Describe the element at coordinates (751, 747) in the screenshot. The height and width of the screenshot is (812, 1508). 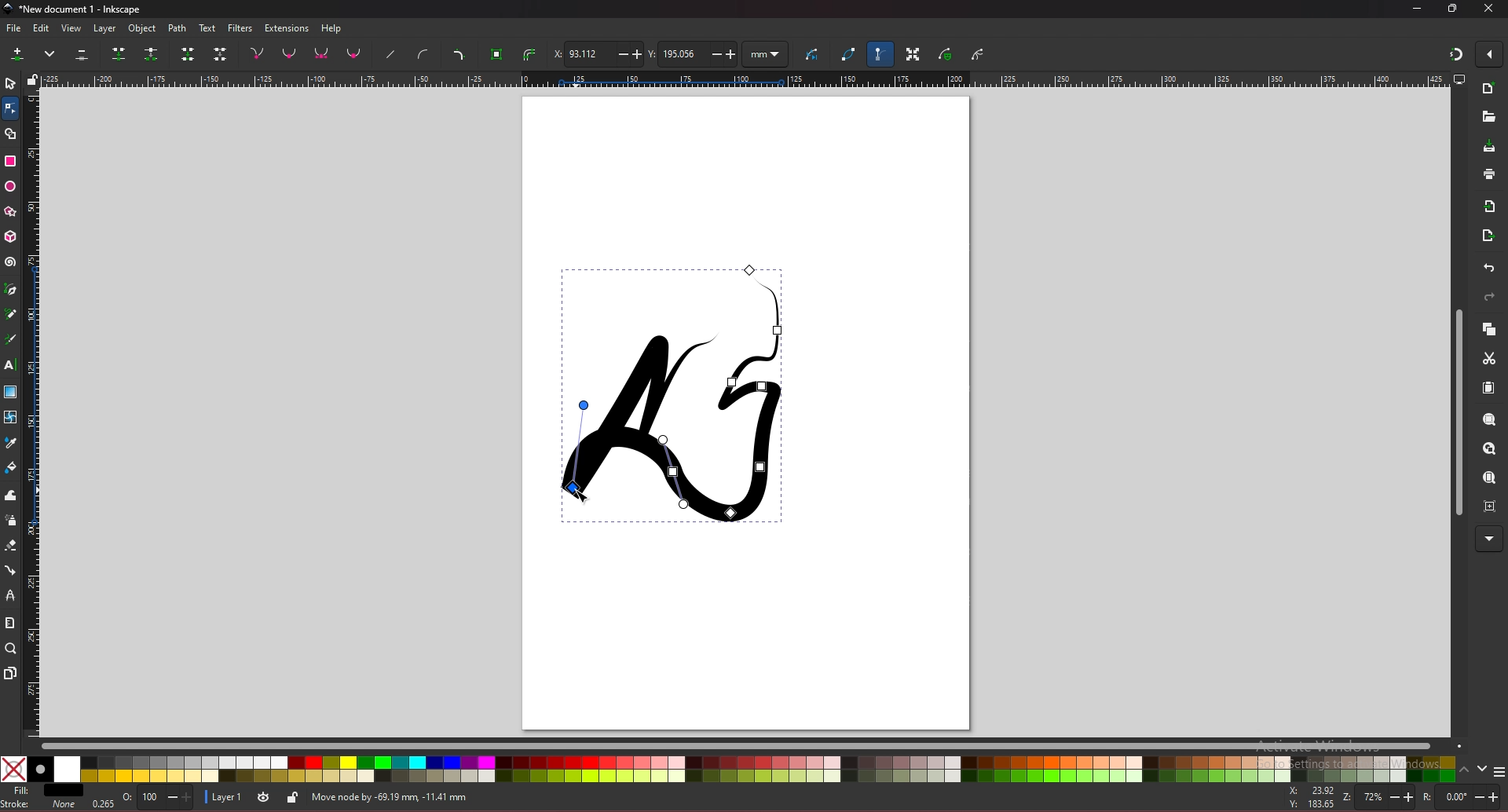
I see `scroll bar` at that location.